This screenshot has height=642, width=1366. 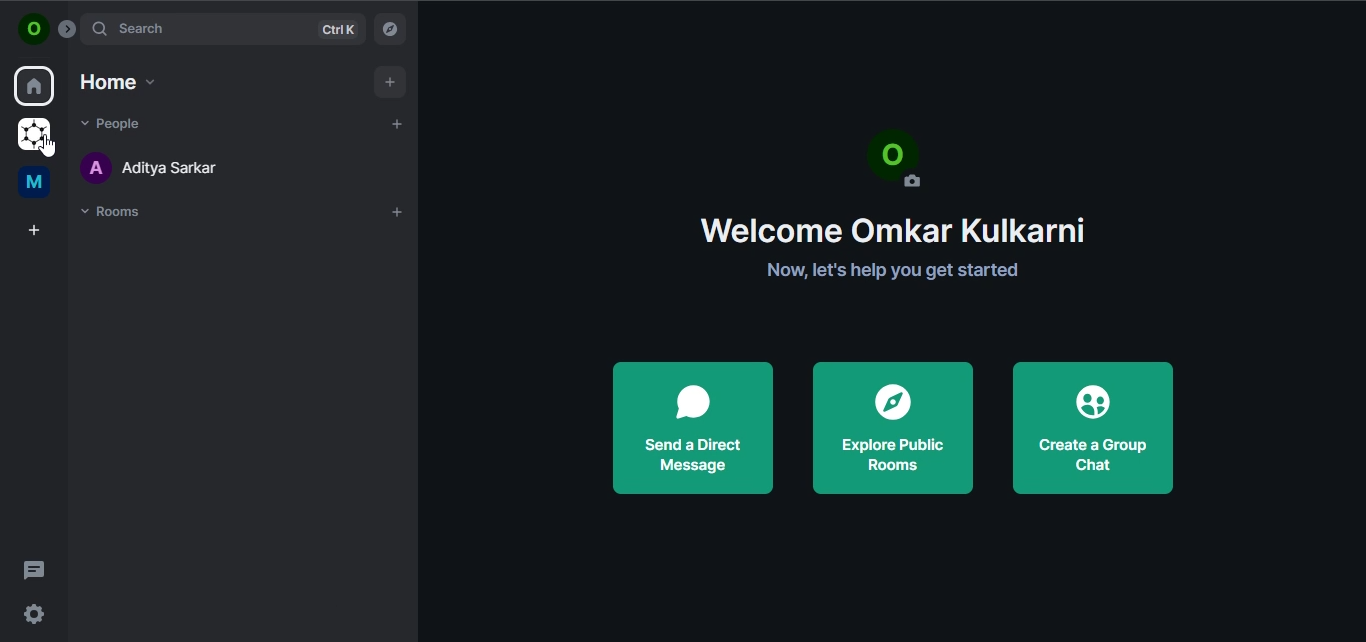 I want to click on me, so click(x=32, y=183).